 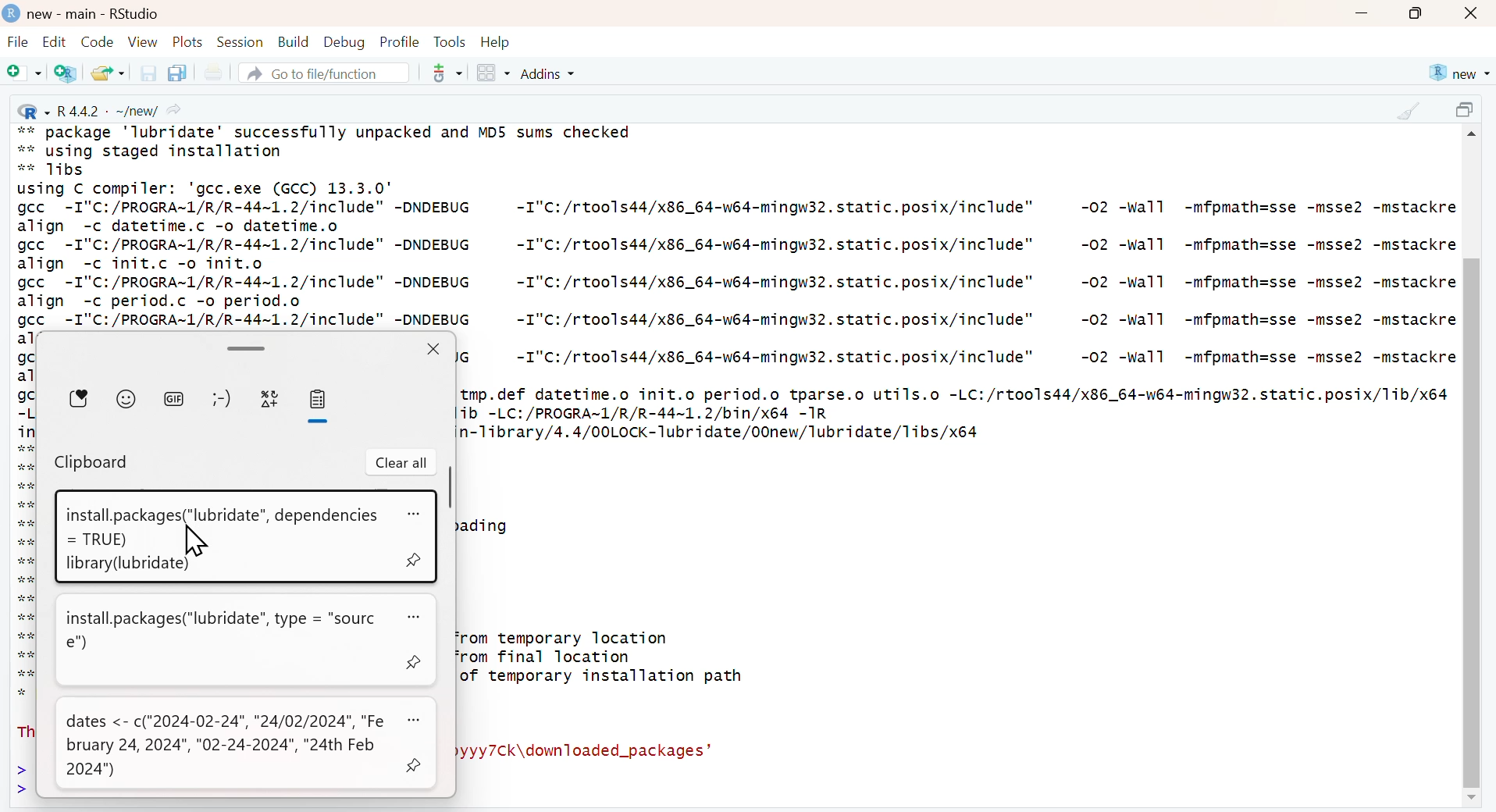 What do you see at coordinates (1474, 137) in the screenshot?
I see `scroll up` at bounding box center [1474, 137].